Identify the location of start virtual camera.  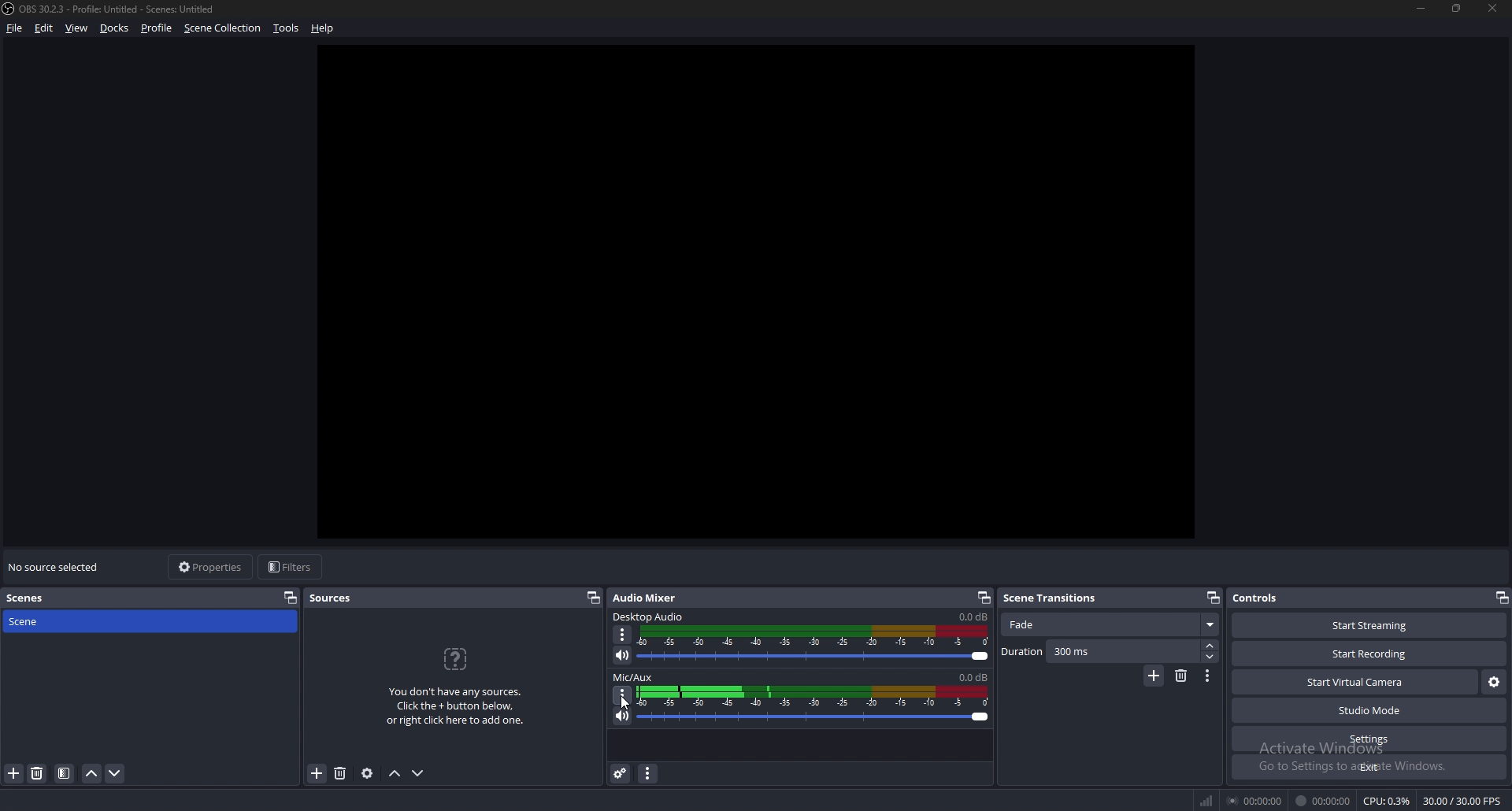
(1358, 682).